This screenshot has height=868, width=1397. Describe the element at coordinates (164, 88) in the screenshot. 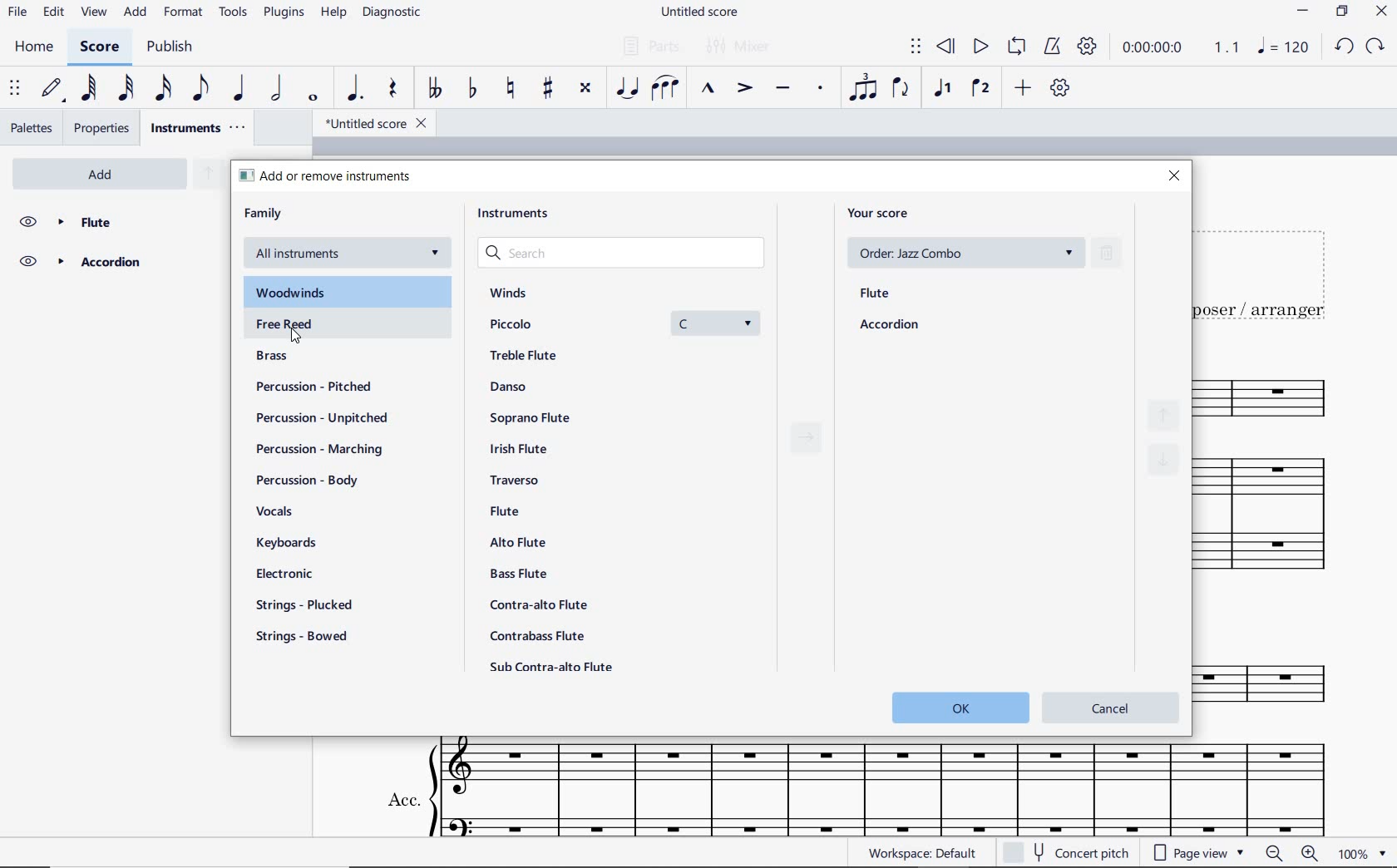

I see `16th note` at that location.